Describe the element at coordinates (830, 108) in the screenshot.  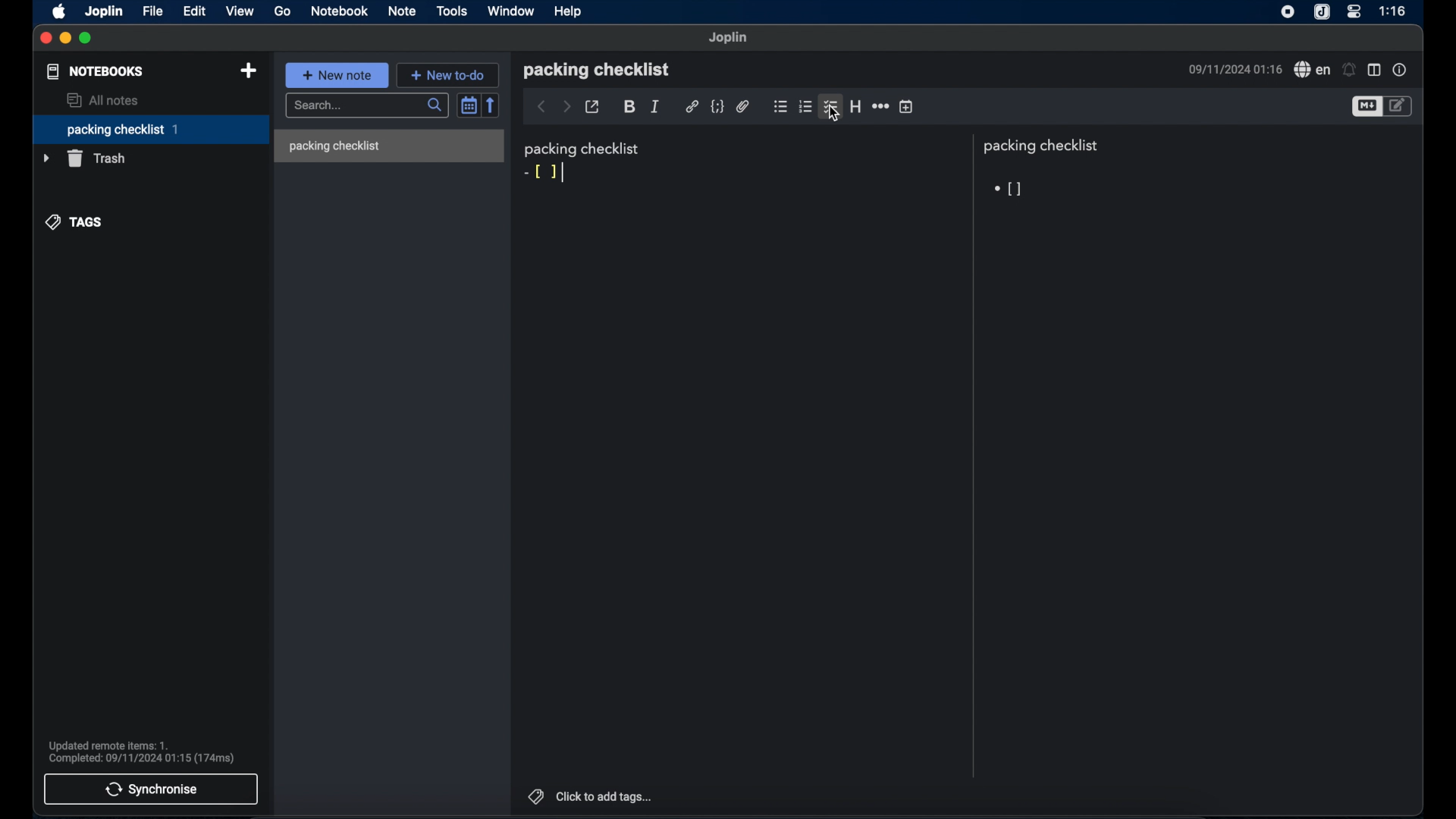
I see `bulleted checklist` at that location.